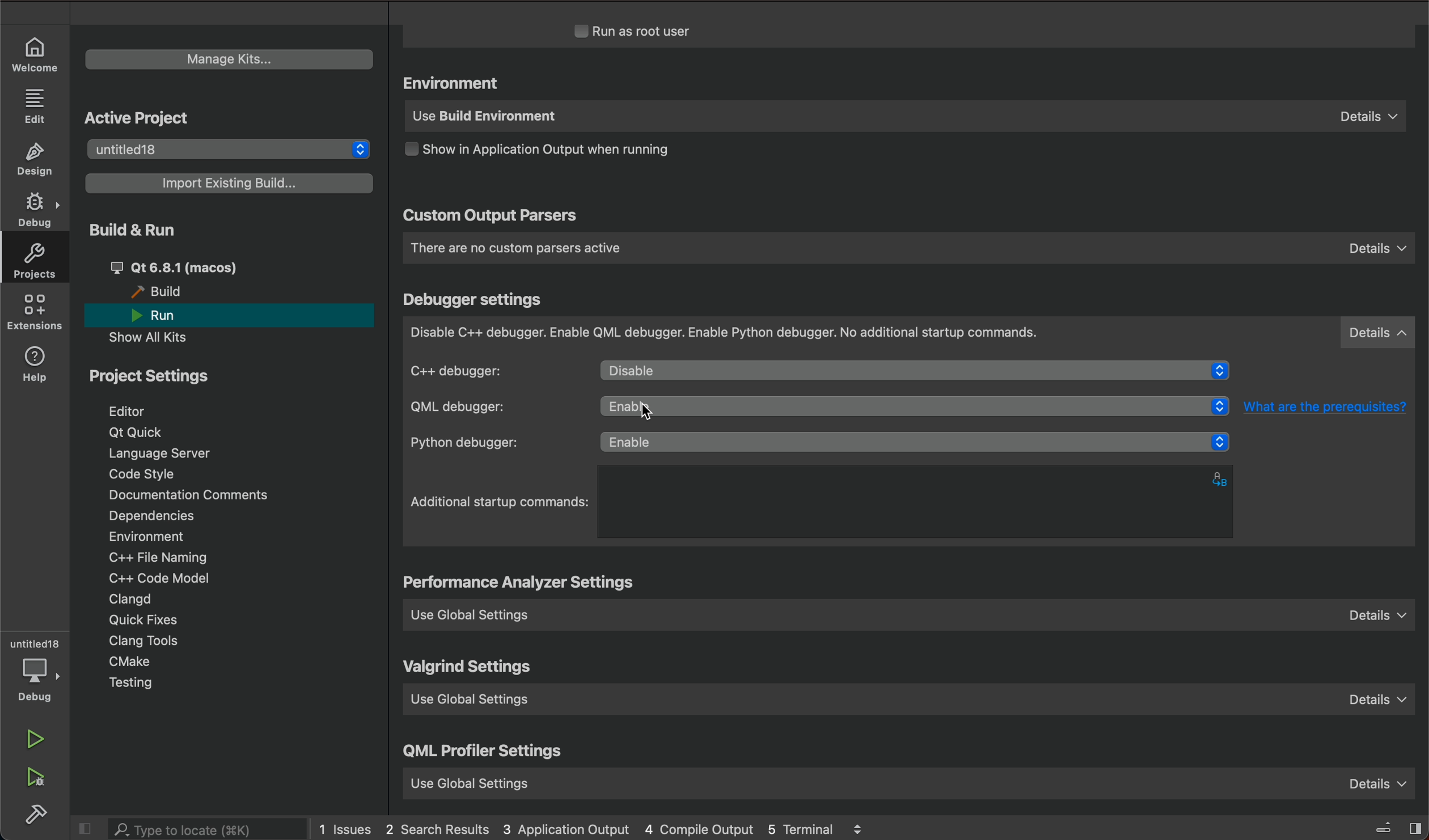 This screenshot has height=840, width=1429. What do you see at coordinates (90, 829) in the screenshot?
I see `close slidebar` at bounding box center [90, 829].